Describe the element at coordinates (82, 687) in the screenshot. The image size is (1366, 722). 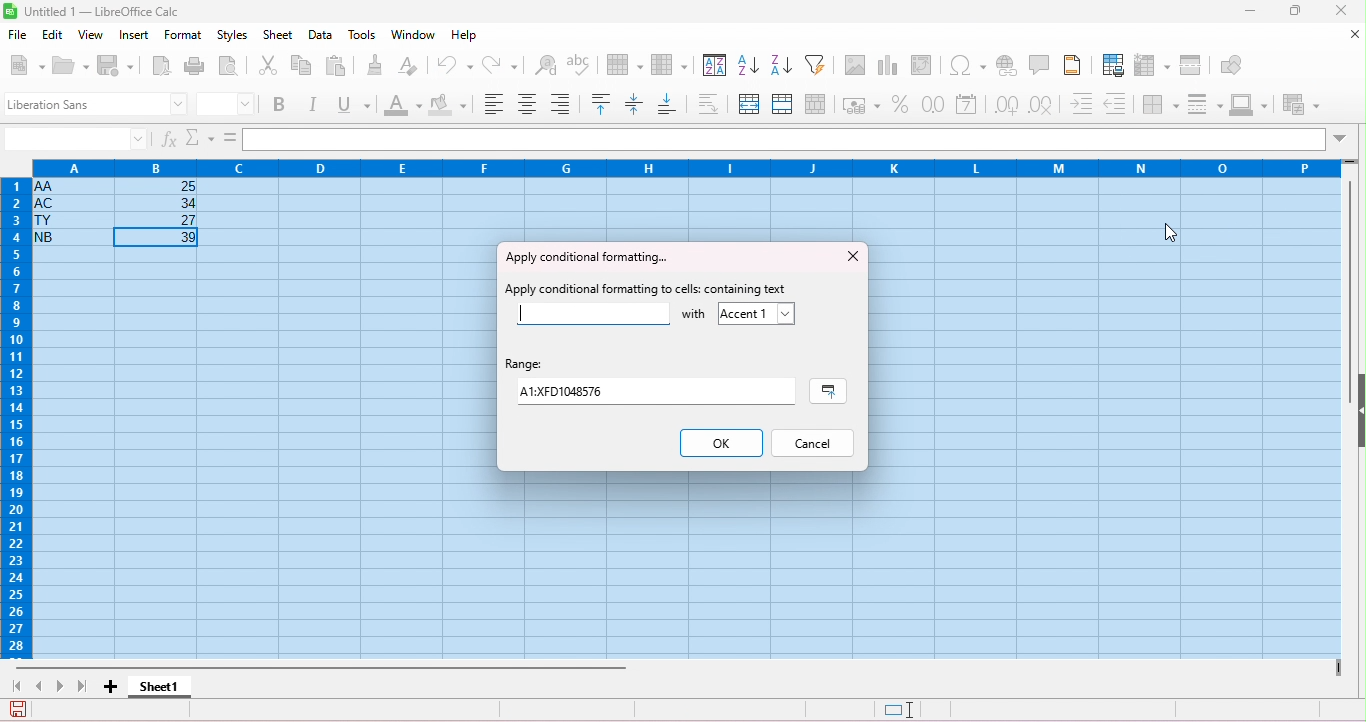
I see `last sheet` at that location.